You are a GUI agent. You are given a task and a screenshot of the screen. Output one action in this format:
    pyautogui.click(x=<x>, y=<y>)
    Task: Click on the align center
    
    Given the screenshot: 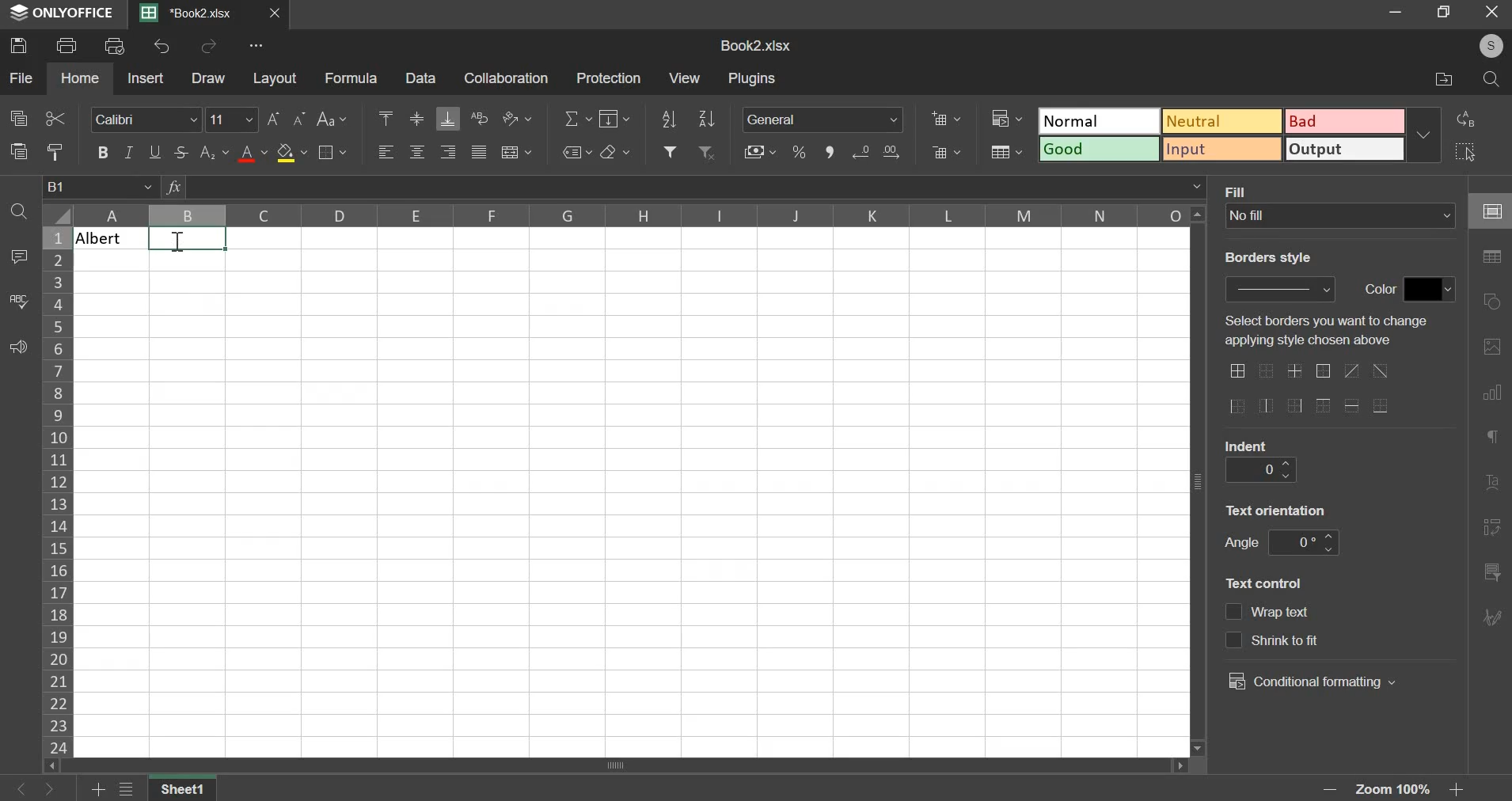 What is the action you would take?
    pyautogui.click(x=417, y=152)
    